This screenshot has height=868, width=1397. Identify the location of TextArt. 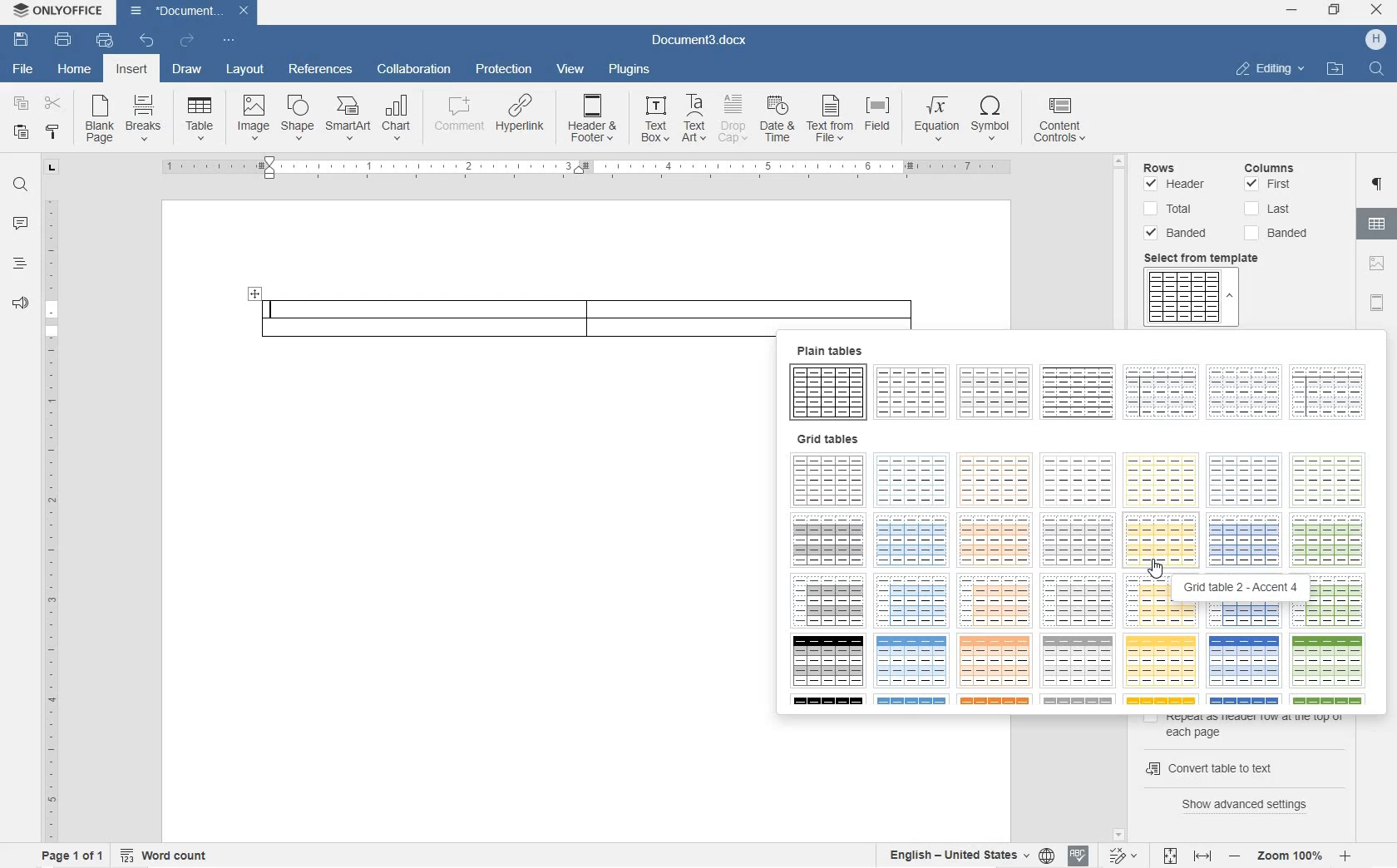
(695, 118).